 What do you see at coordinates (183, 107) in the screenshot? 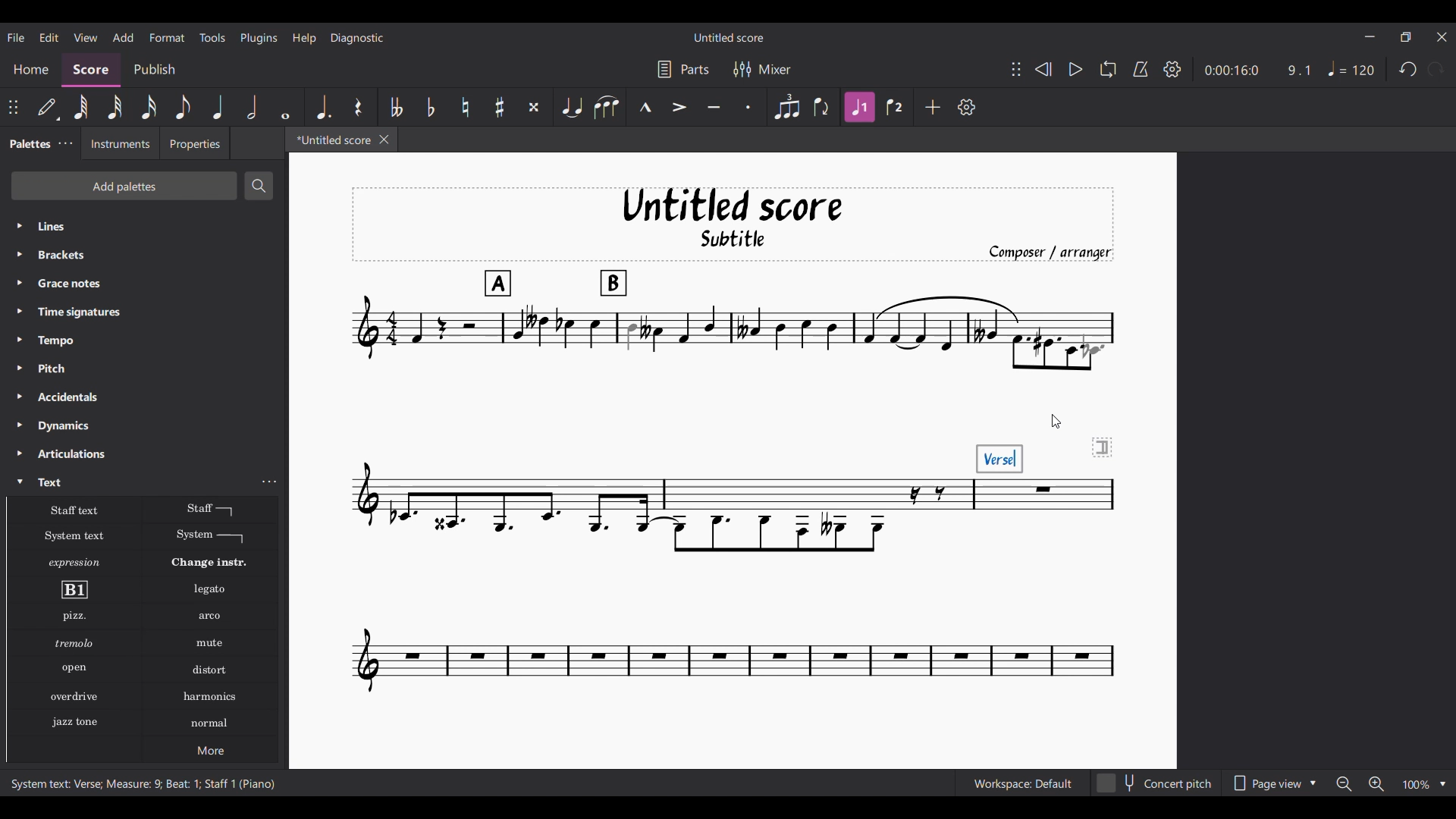
I see `8th note` at bounding box center [183, 107].